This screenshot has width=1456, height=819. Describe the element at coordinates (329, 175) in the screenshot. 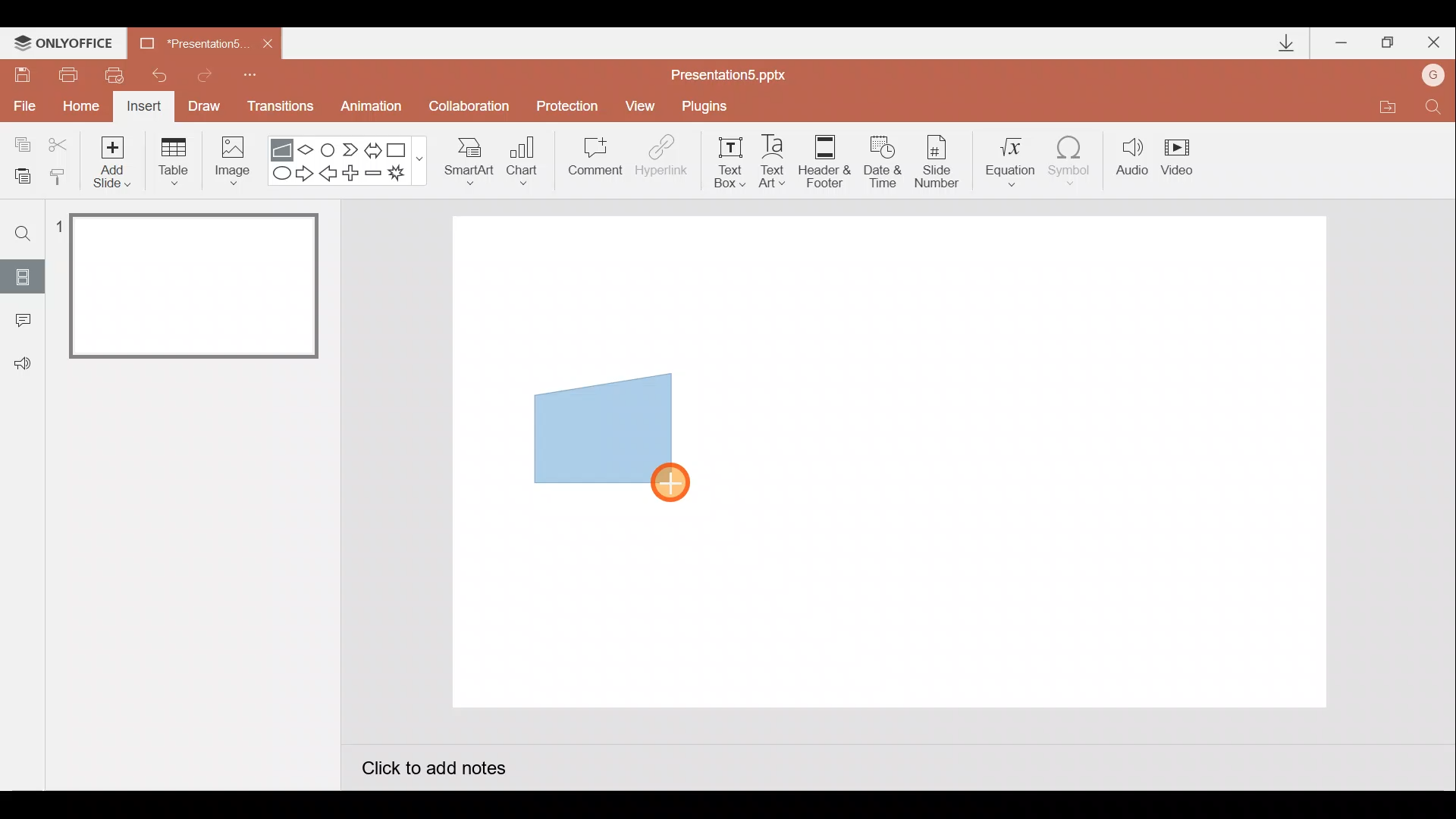

I see `Left arrow` at that location.